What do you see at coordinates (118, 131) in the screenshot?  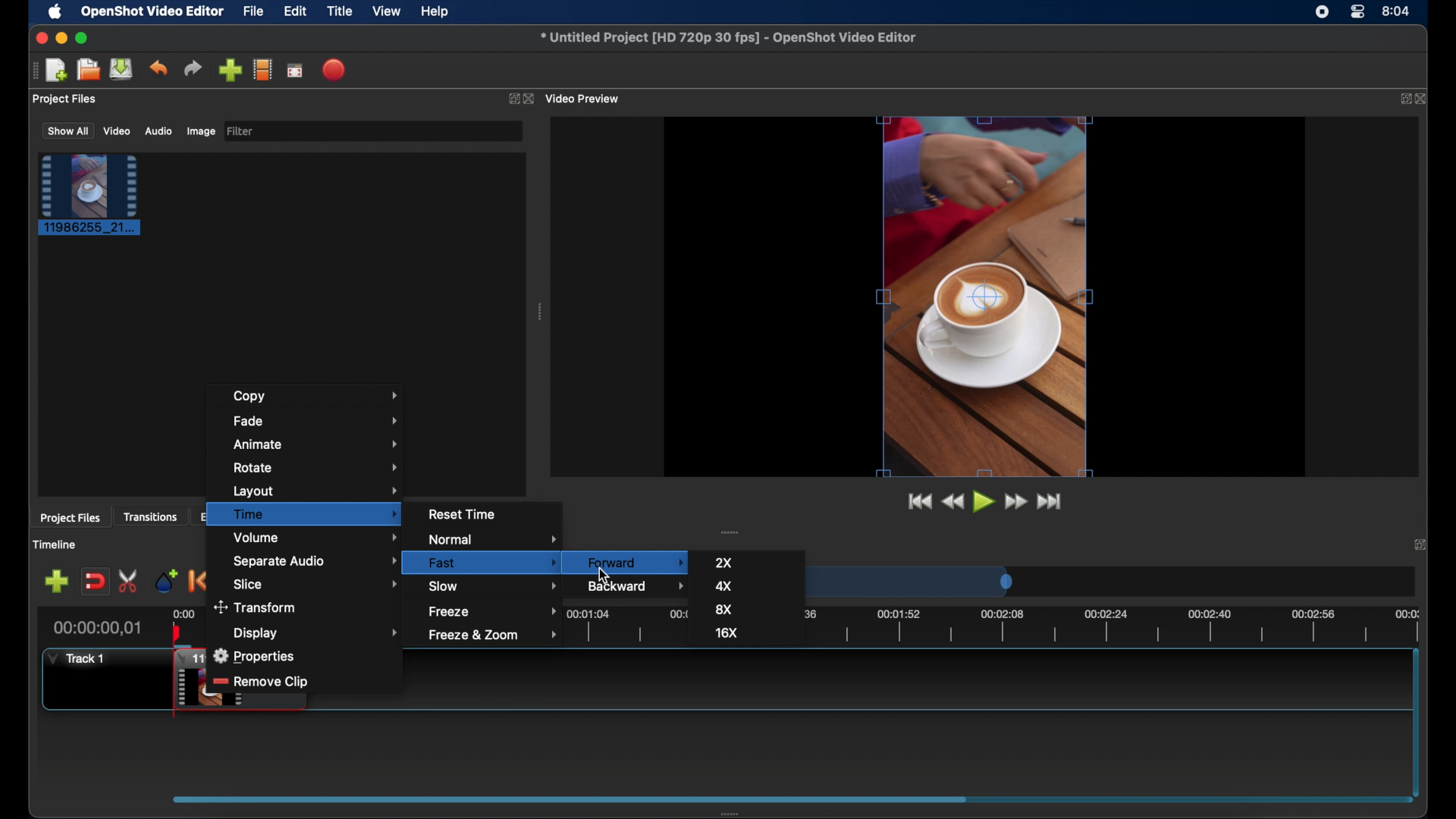 I see `video` at bounding box center [118, 131].